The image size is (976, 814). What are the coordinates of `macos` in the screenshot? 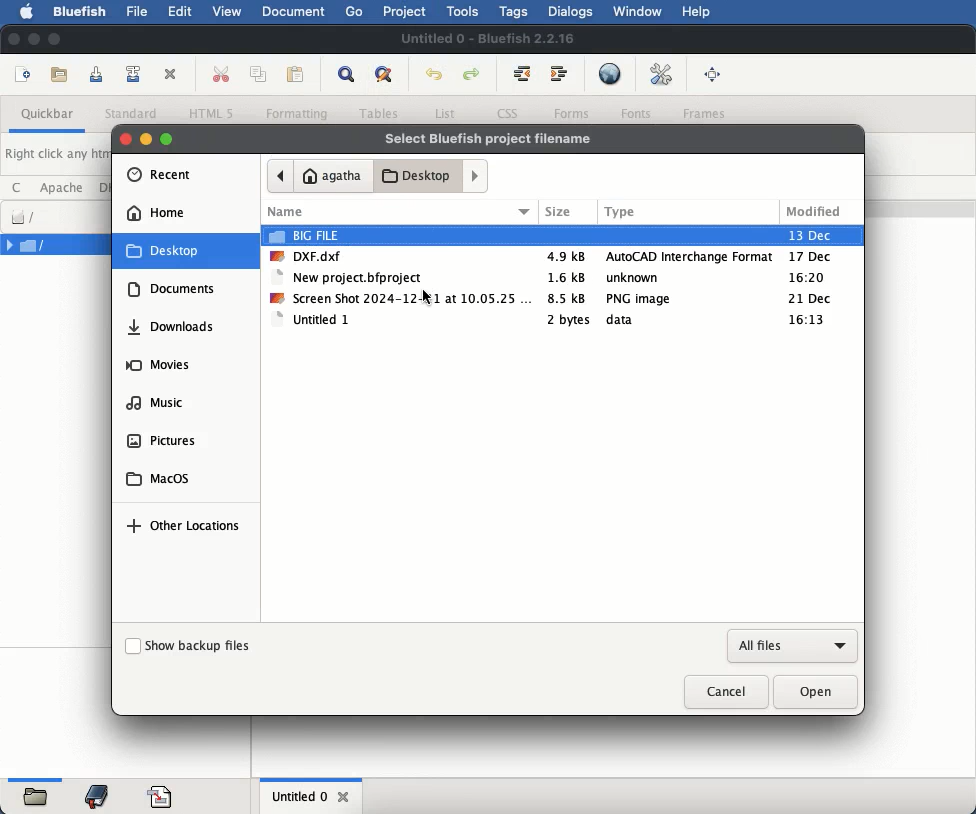 It's located at (158, 478).